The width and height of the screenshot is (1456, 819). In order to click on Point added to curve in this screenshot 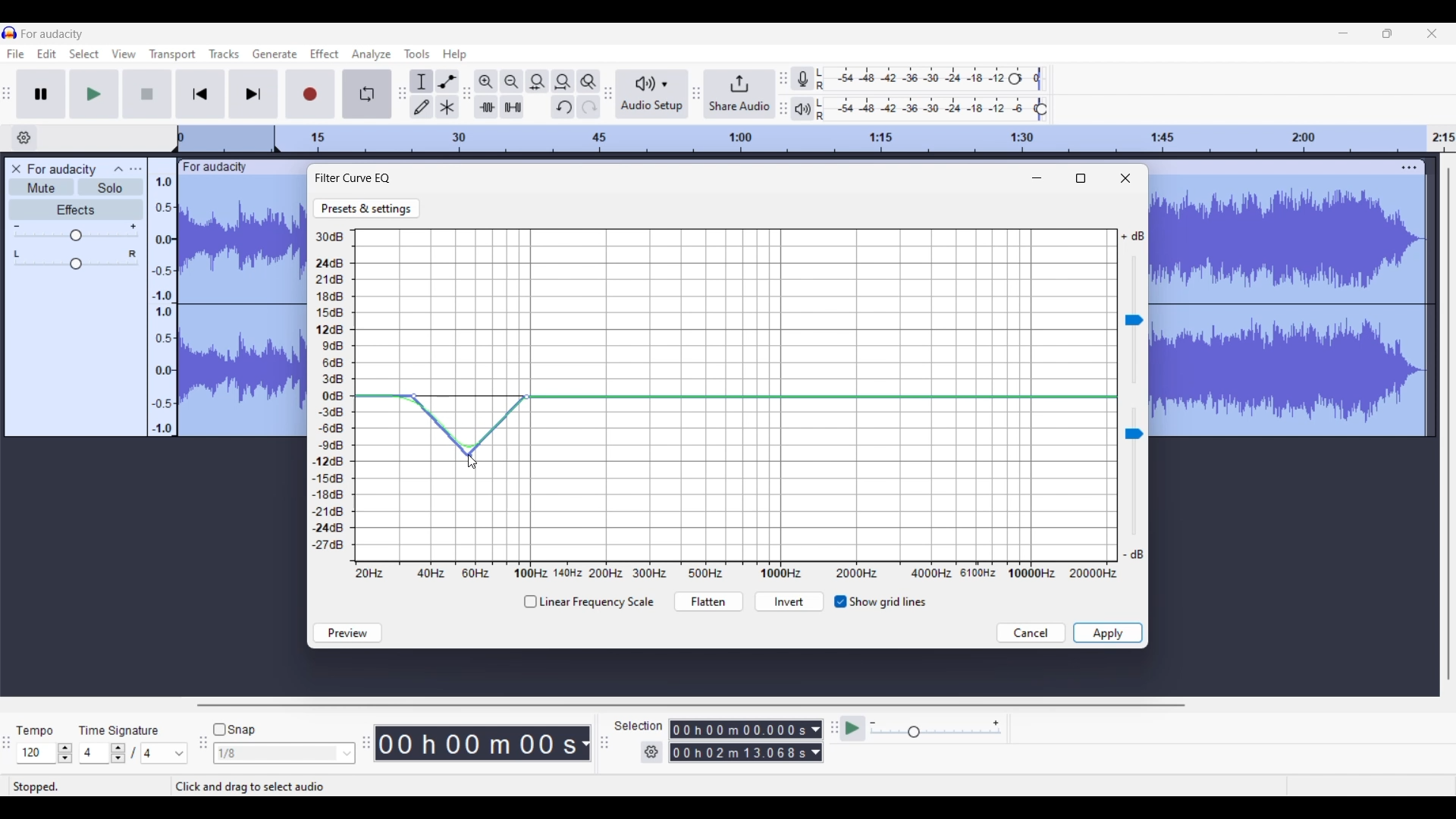, I will do `click(418, 398)`.